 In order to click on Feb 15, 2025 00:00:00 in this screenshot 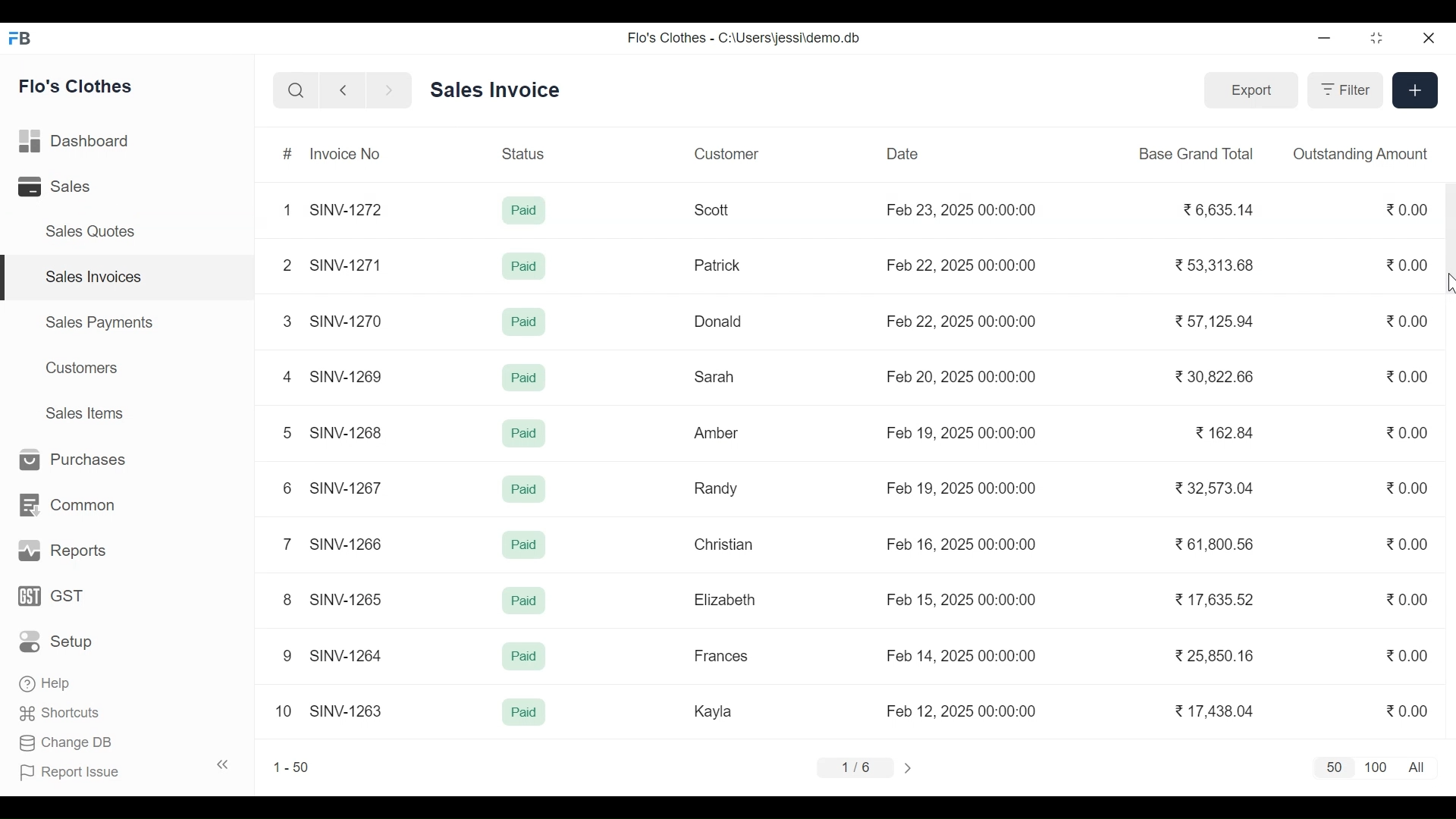, I will do `click(962, 599)`.